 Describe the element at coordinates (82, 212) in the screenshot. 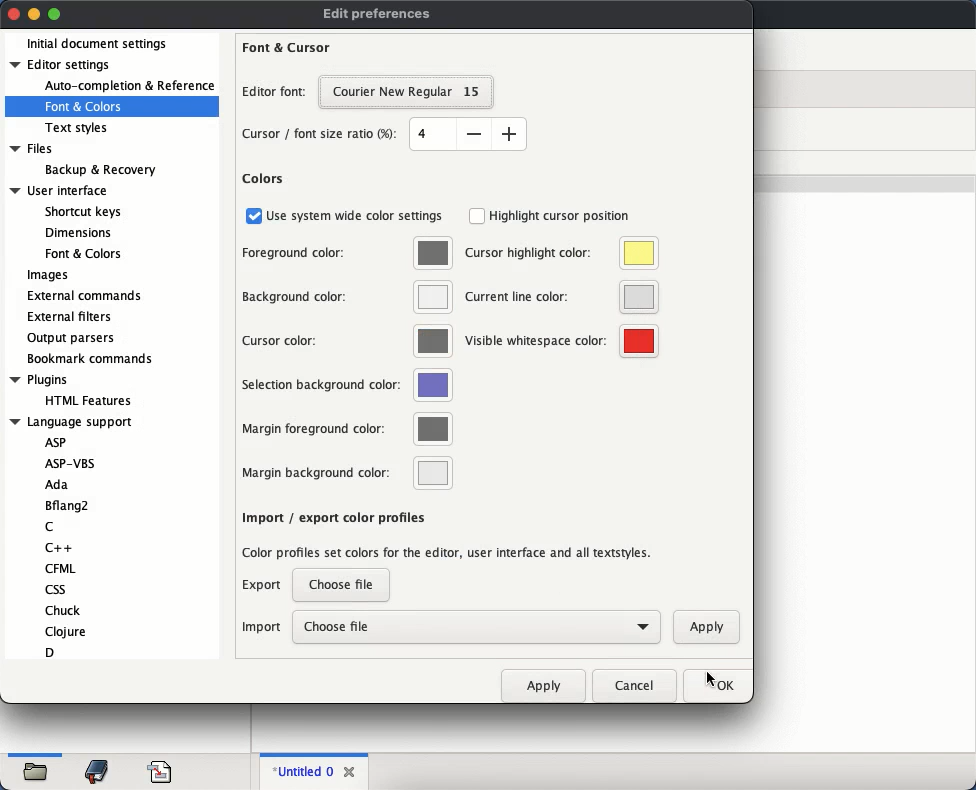

I see `shortcut keys` at that location.